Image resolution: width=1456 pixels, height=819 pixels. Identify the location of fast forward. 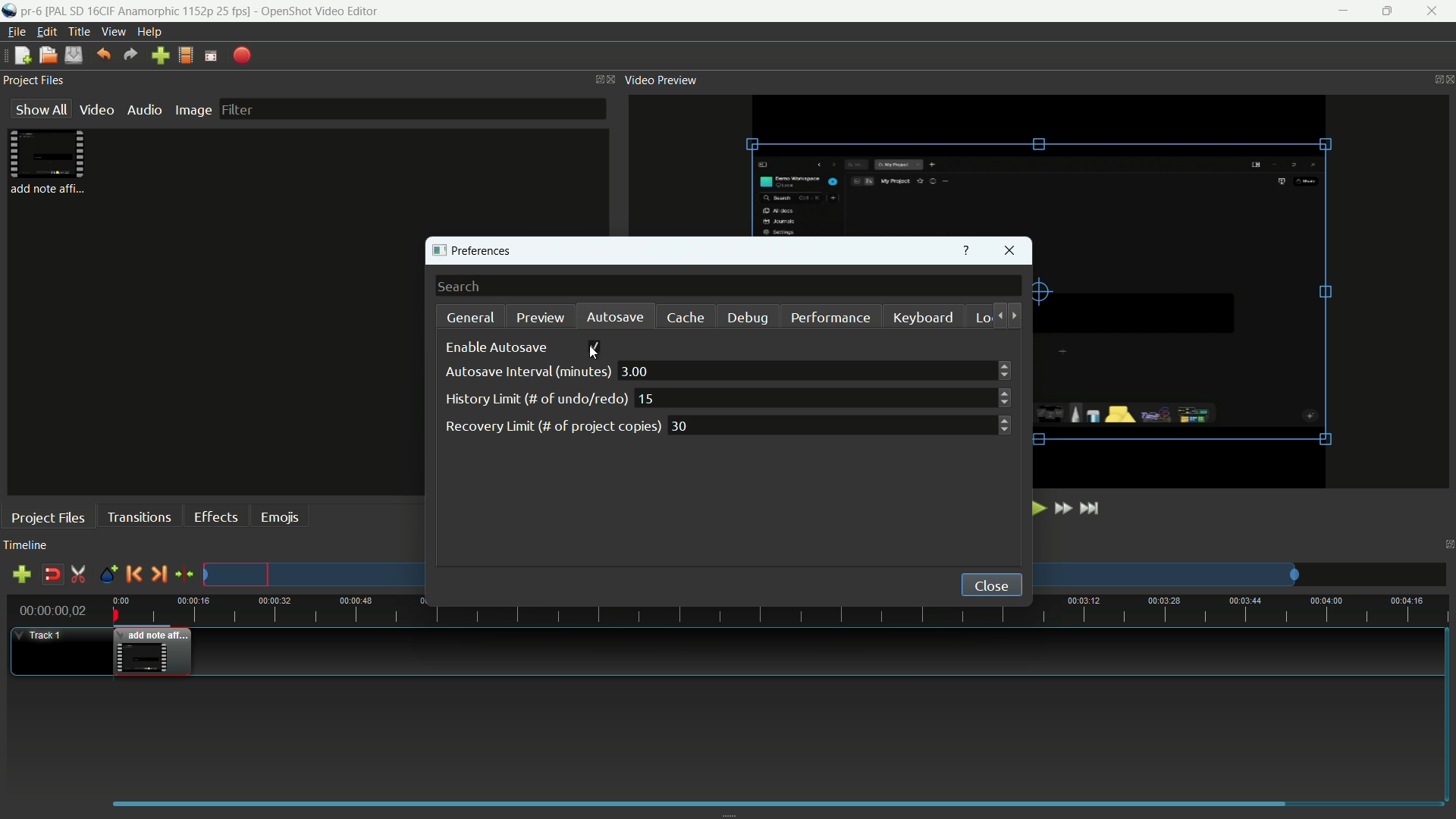
(1062, 508).